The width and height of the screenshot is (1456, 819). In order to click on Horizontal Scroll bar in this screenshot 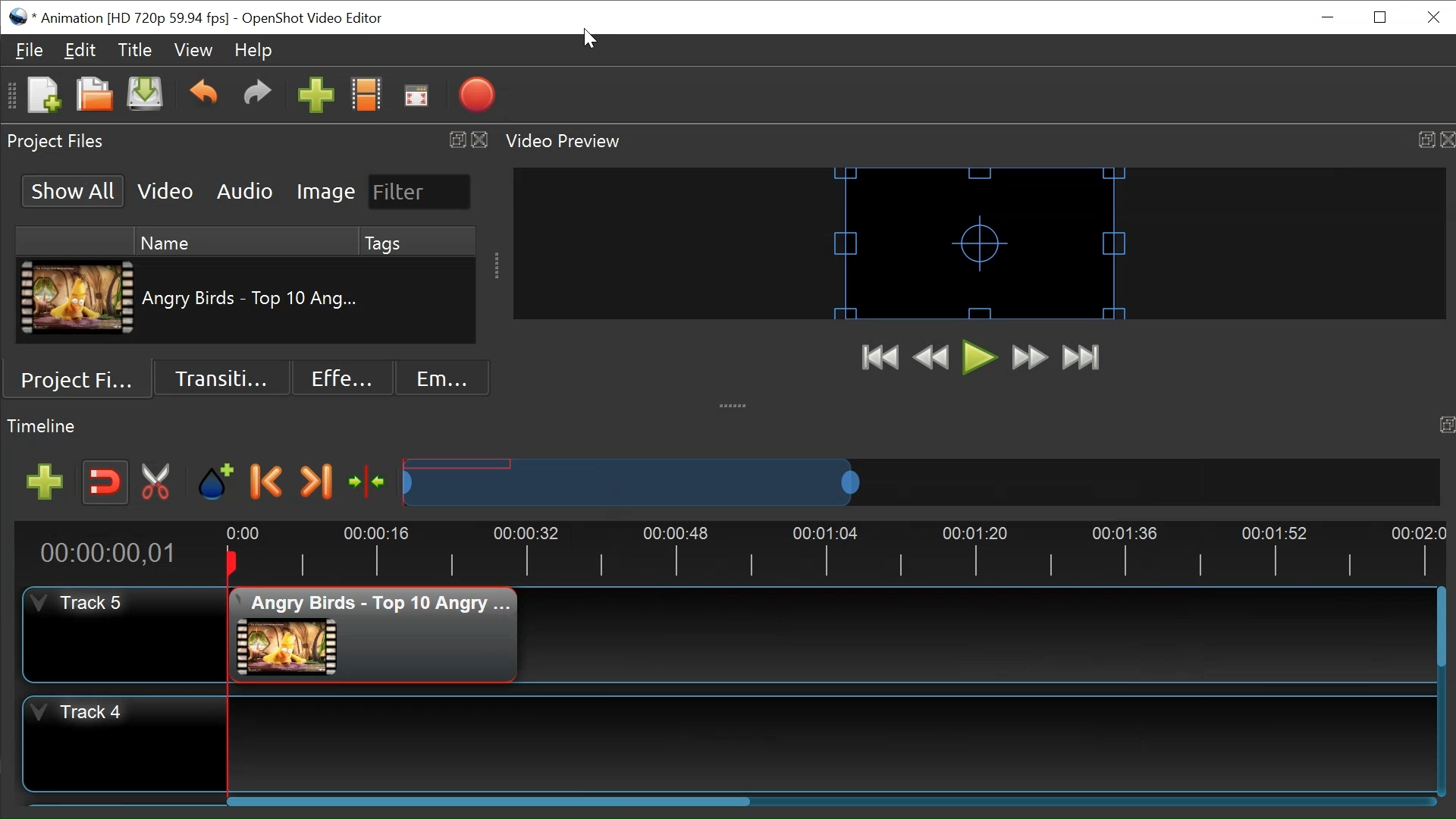, I will do `click(494, 802)`.